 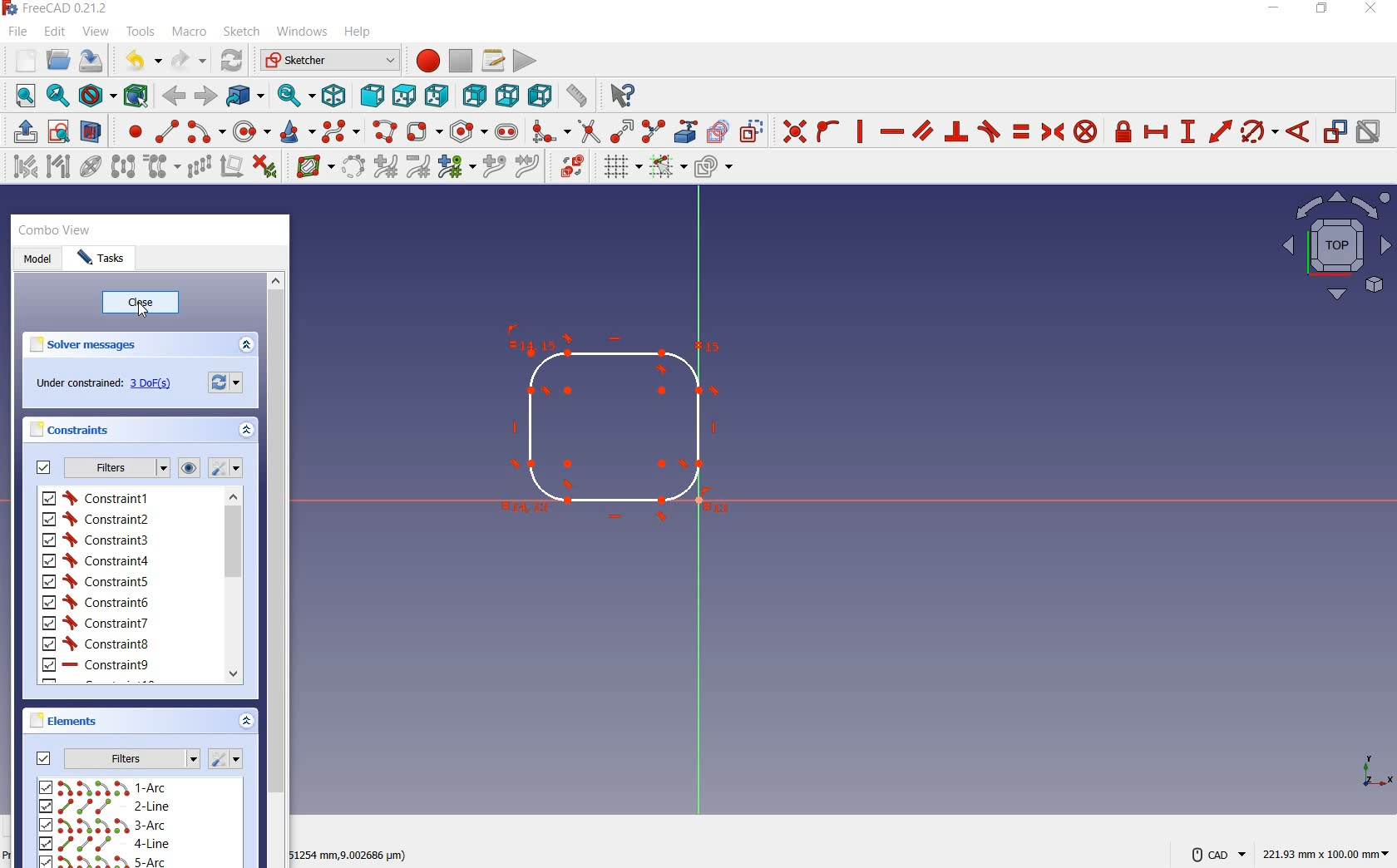 What do you see at coordinates (1158, 131) in the screenshot?
I see `constrain horizontal distance` at bounding box center [1158, 131].